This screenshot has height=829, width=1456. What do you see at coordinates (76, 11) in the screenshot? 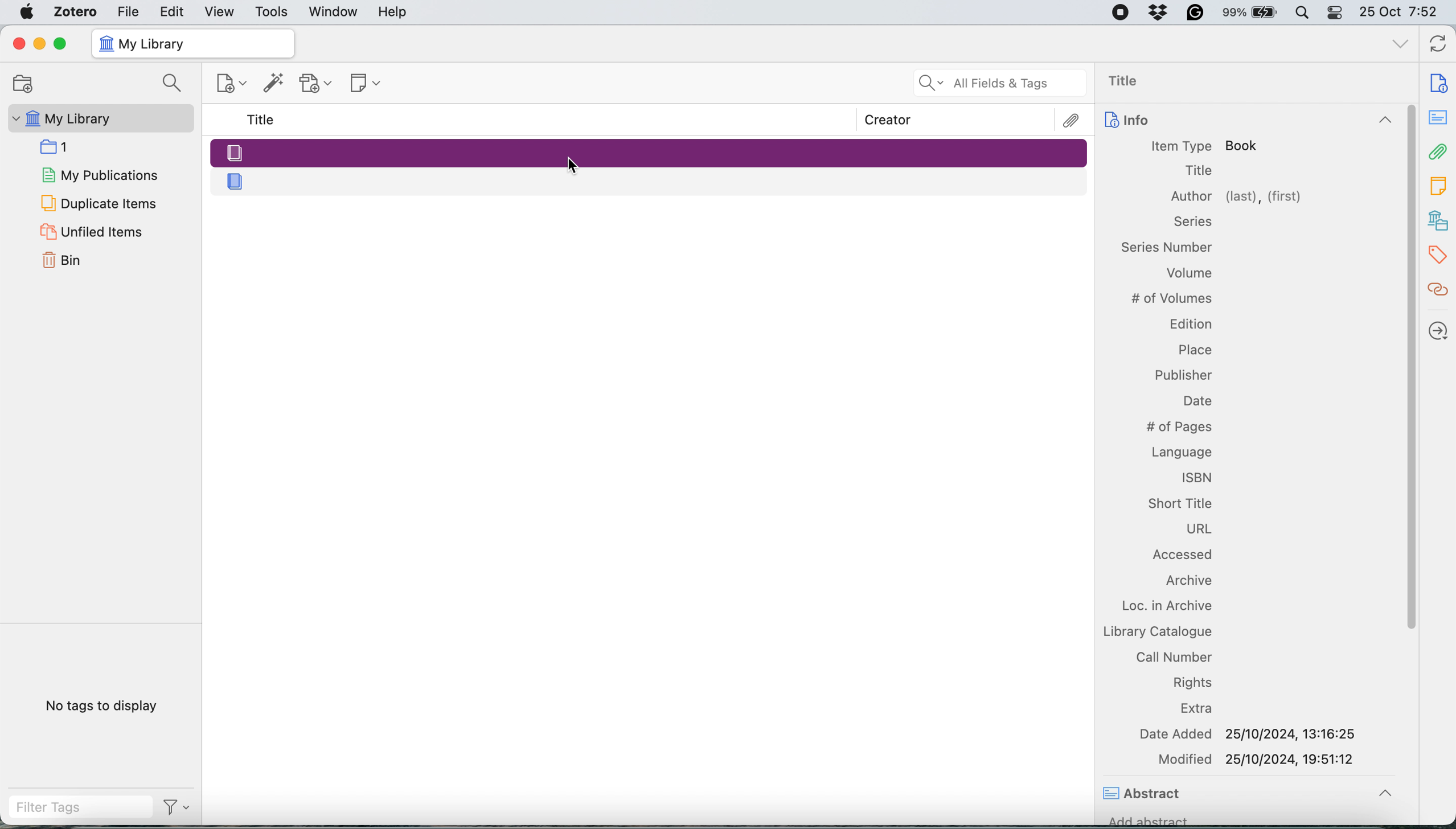
I see `Zotero` at bounding box center [76, 11].